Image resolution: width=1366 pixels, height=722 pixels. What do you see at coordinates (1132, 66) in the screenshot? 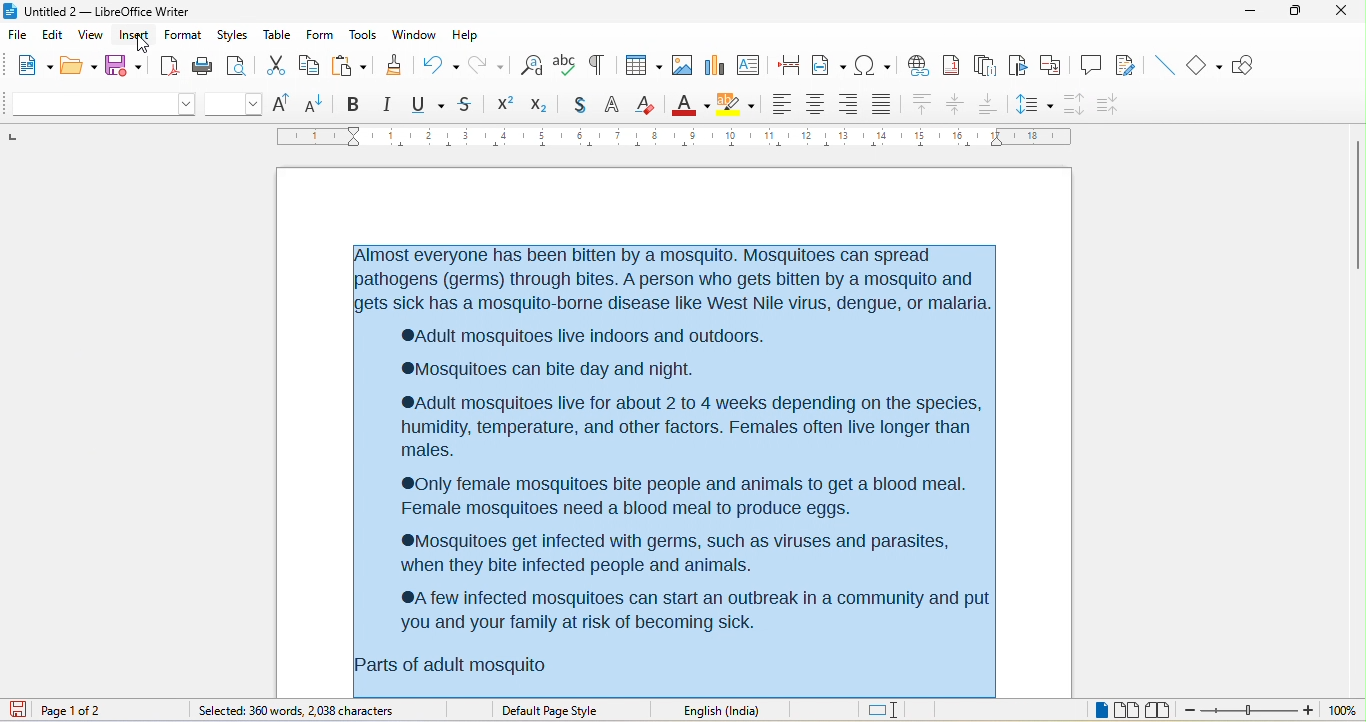
I see `show track` at bounding box center [1132, 66].